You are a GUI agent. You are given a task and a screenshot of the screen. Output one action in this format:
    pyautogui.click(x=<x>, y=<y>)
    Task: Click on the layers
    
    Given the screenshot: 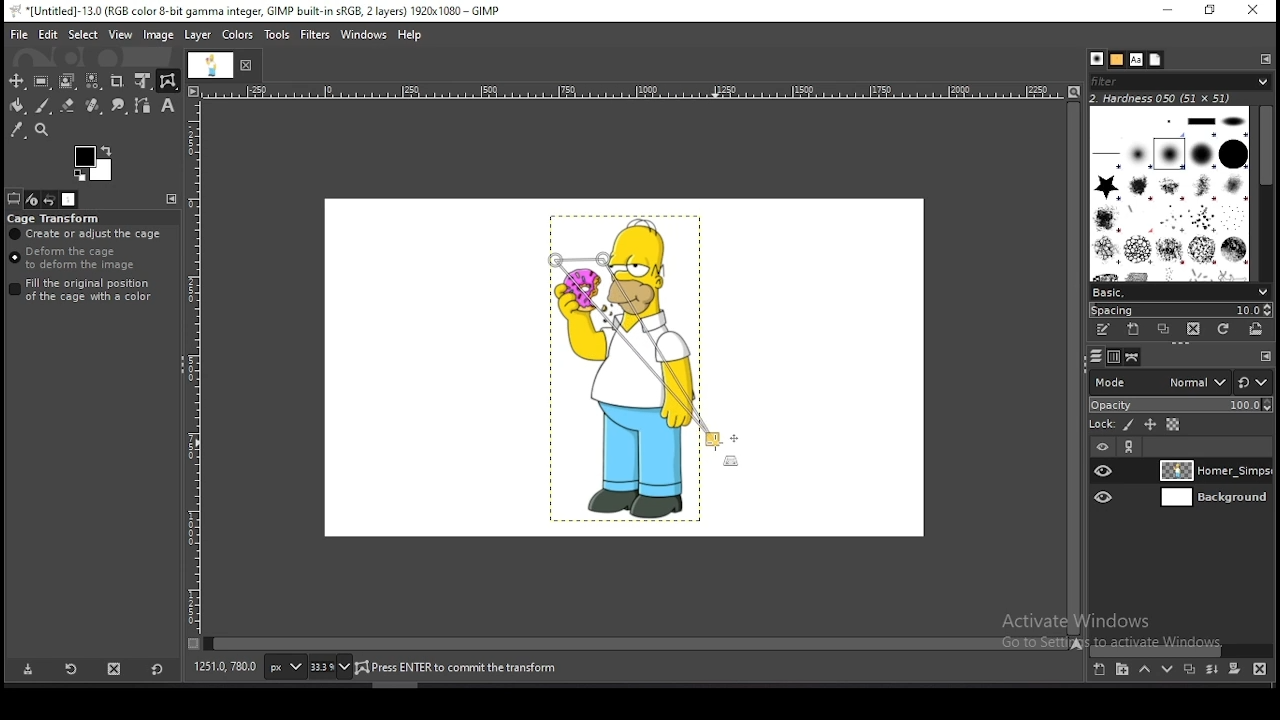 What is the action you would take?
    pyautogui.click(x=1093, y=356)
    